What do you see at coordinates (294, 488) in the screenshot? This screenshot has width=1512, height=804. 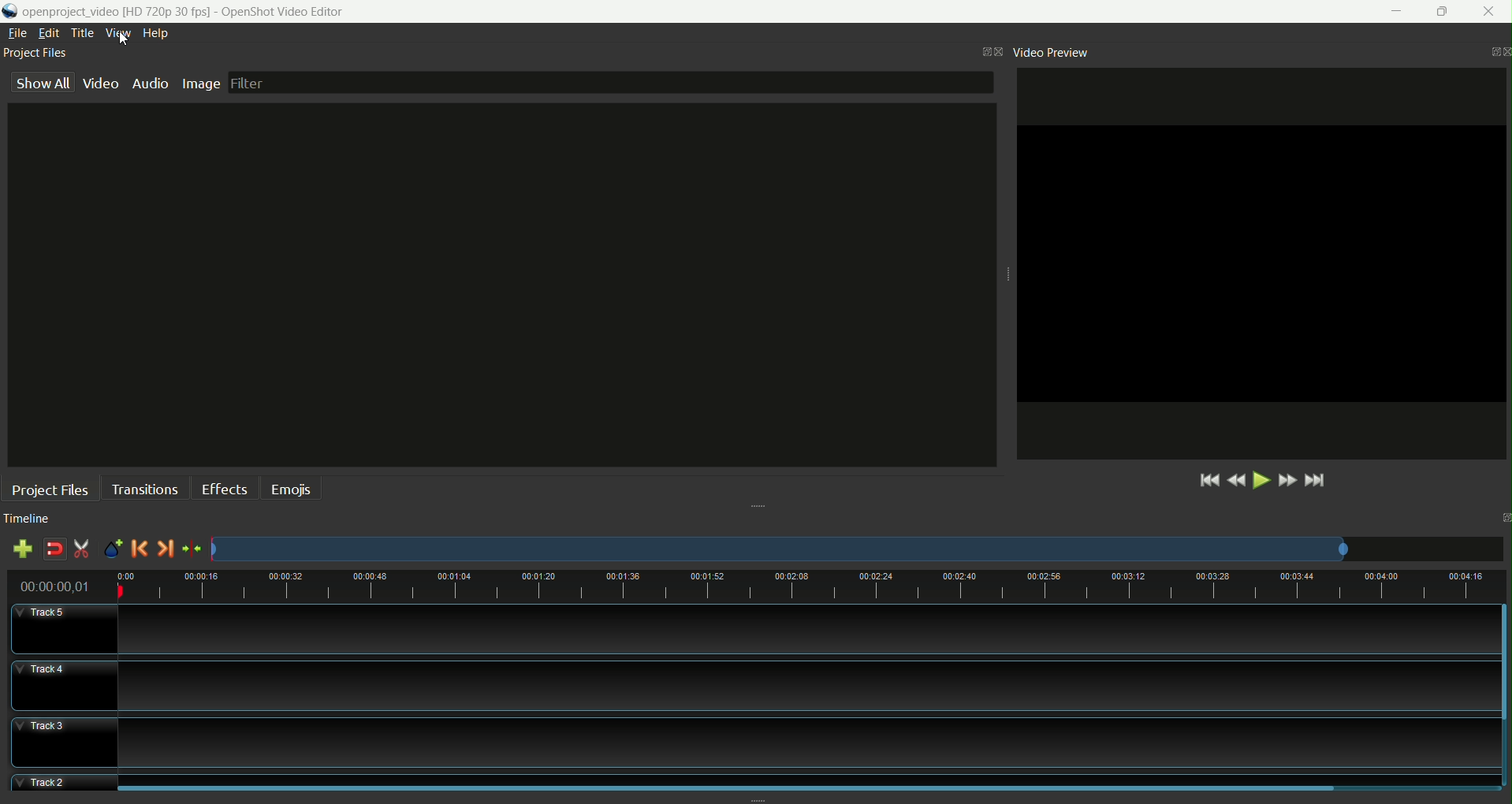 I see `emojis` at bounding box center [294, 488].